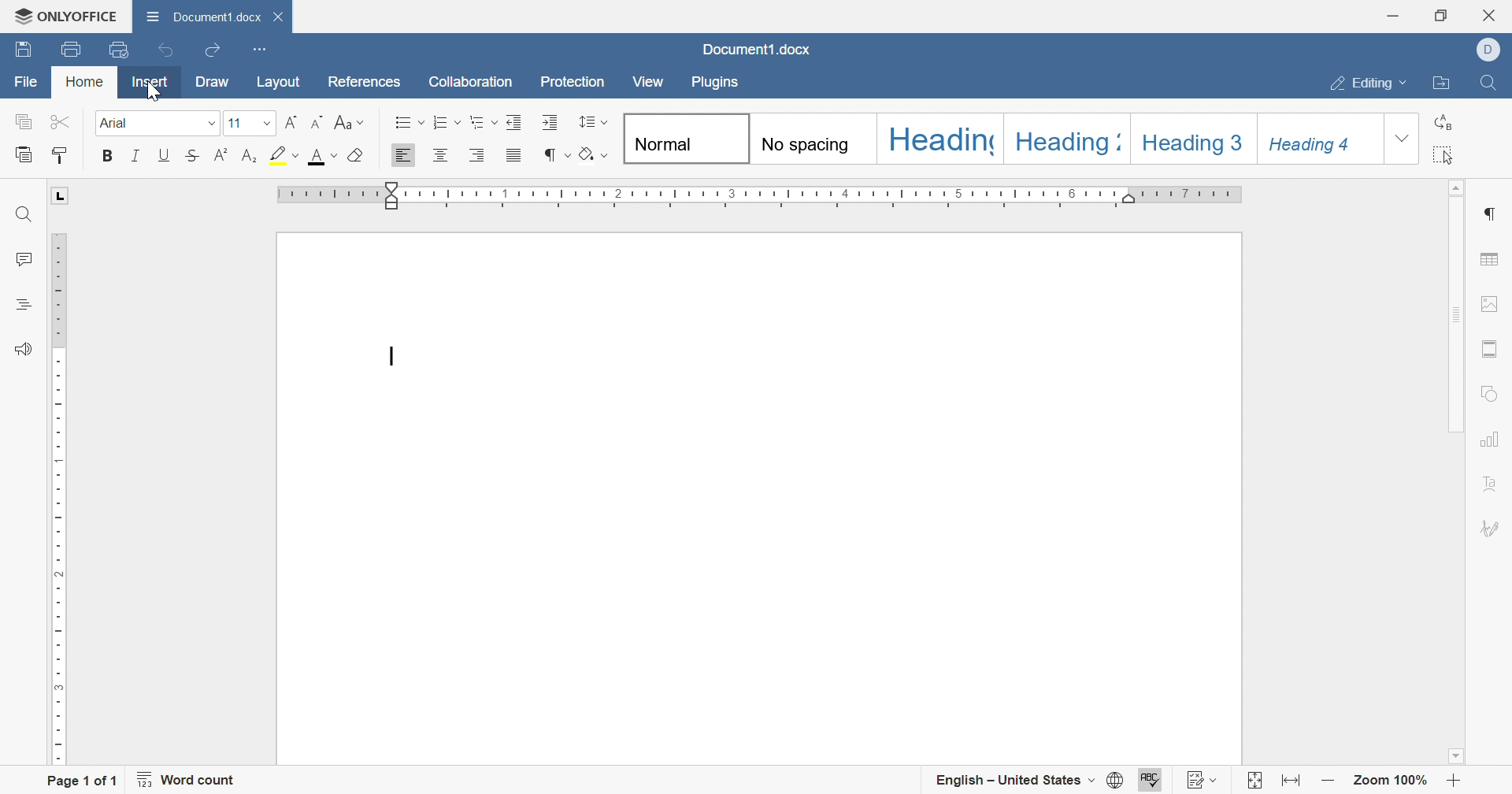  I want to click on Layout, so click(276, 83).